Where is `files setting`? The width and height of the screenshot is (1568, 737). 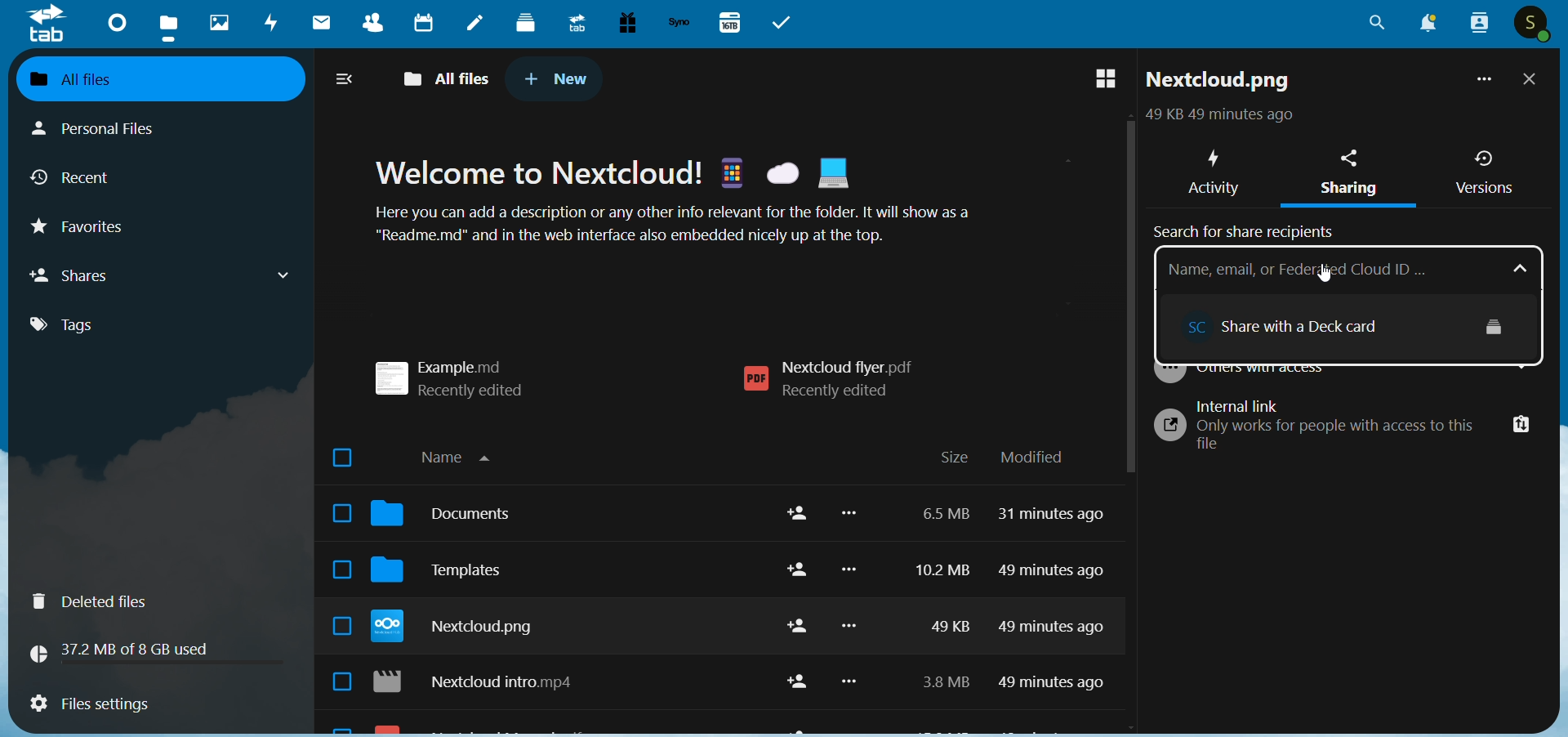 files setting is located at coordinates (89, 706).